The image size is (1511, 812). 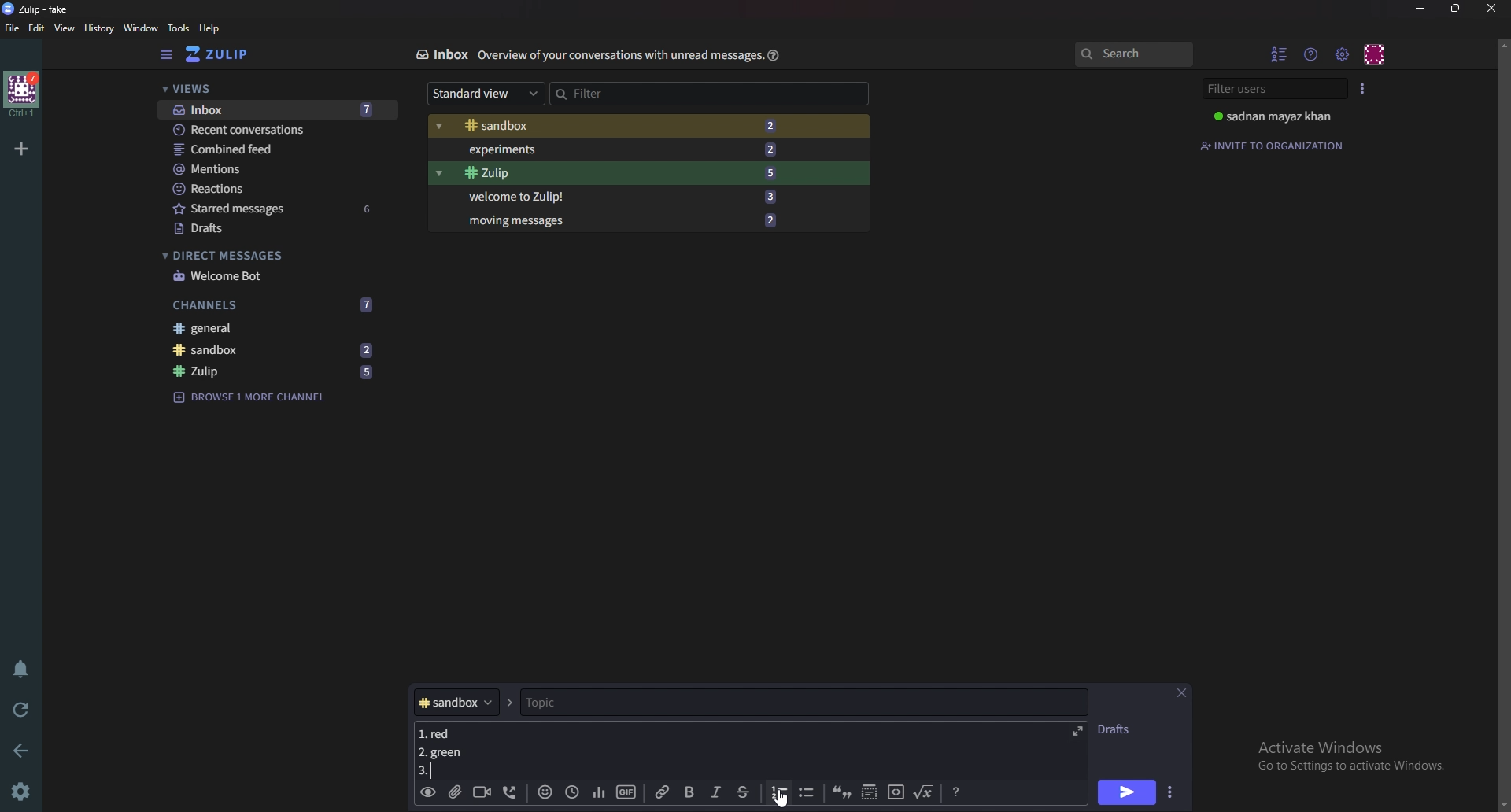 What do you see at coordinates (38, 28) in the screenshot?
I see `Edit` at bounding box center [38, 28].